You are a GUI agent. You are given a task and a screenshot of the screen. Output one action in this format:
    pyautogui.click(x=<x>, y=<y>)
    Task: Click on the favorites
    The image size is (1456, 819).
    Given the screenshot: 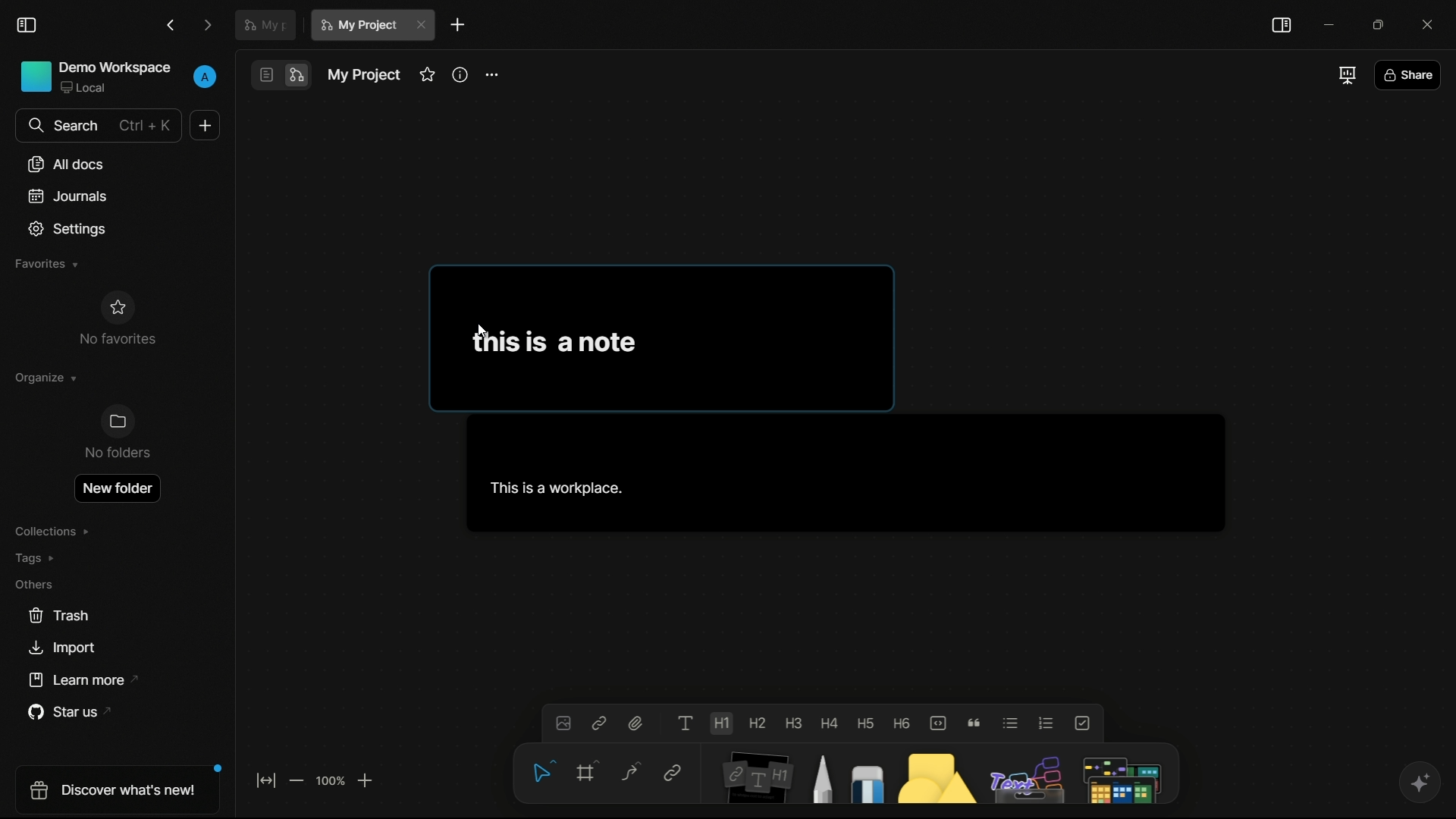 What is the action you would take?
    pyautogui.click(x=427, y=75)
    